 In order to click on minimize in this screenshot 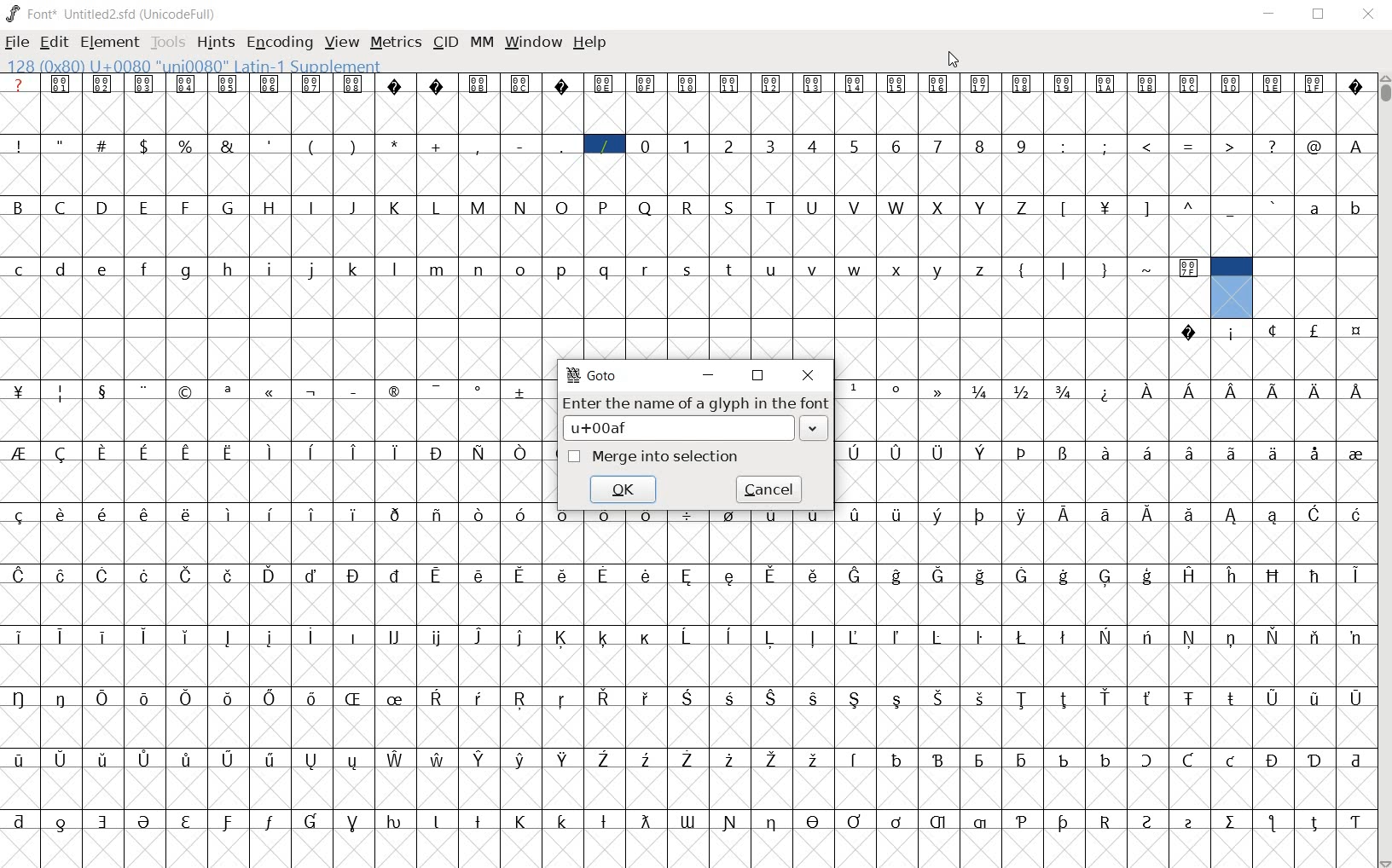, I will do `click(709, 374)`.